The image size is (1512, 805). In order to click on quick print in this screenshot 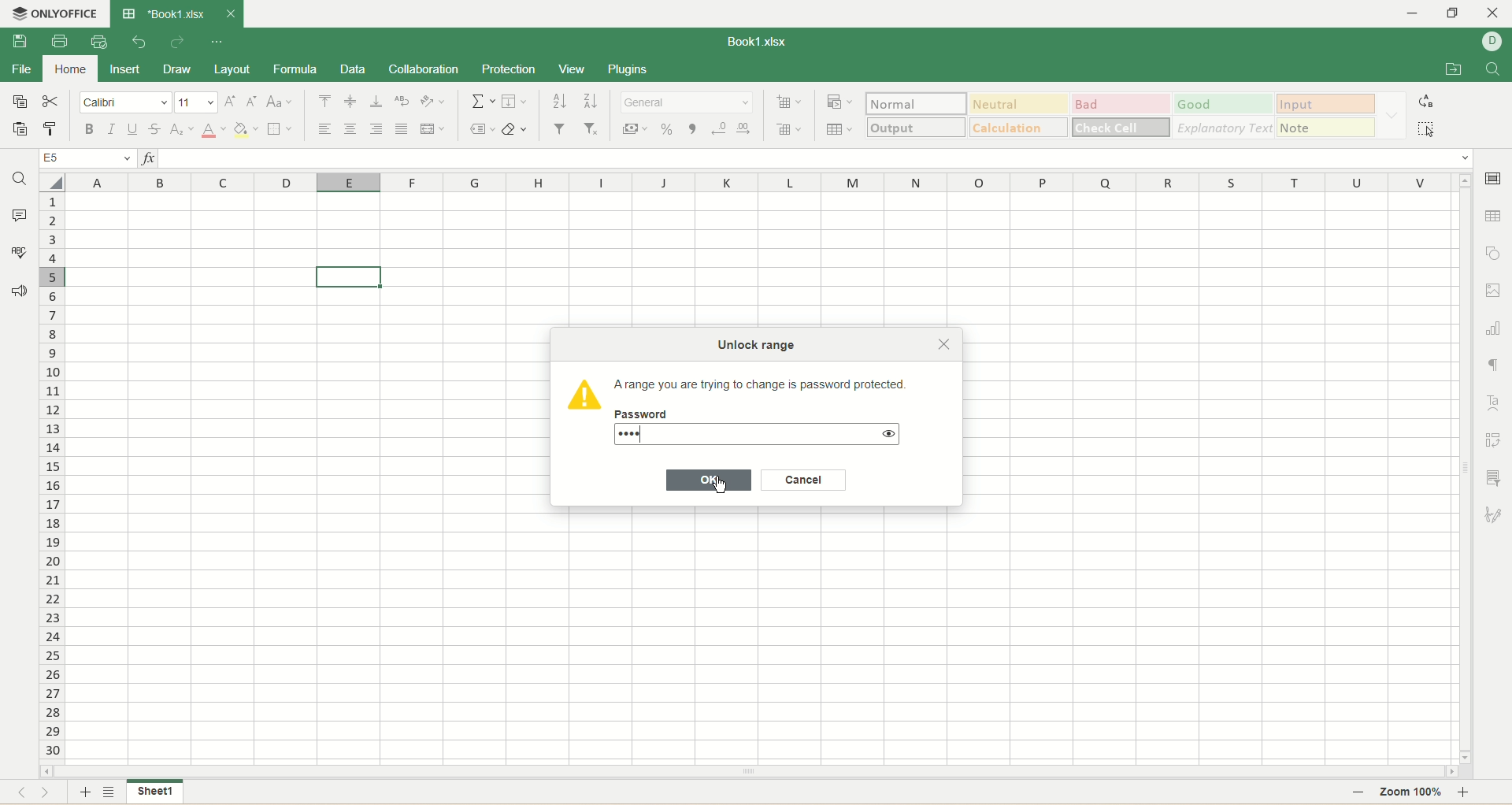, I will do `click(102, 42)`.